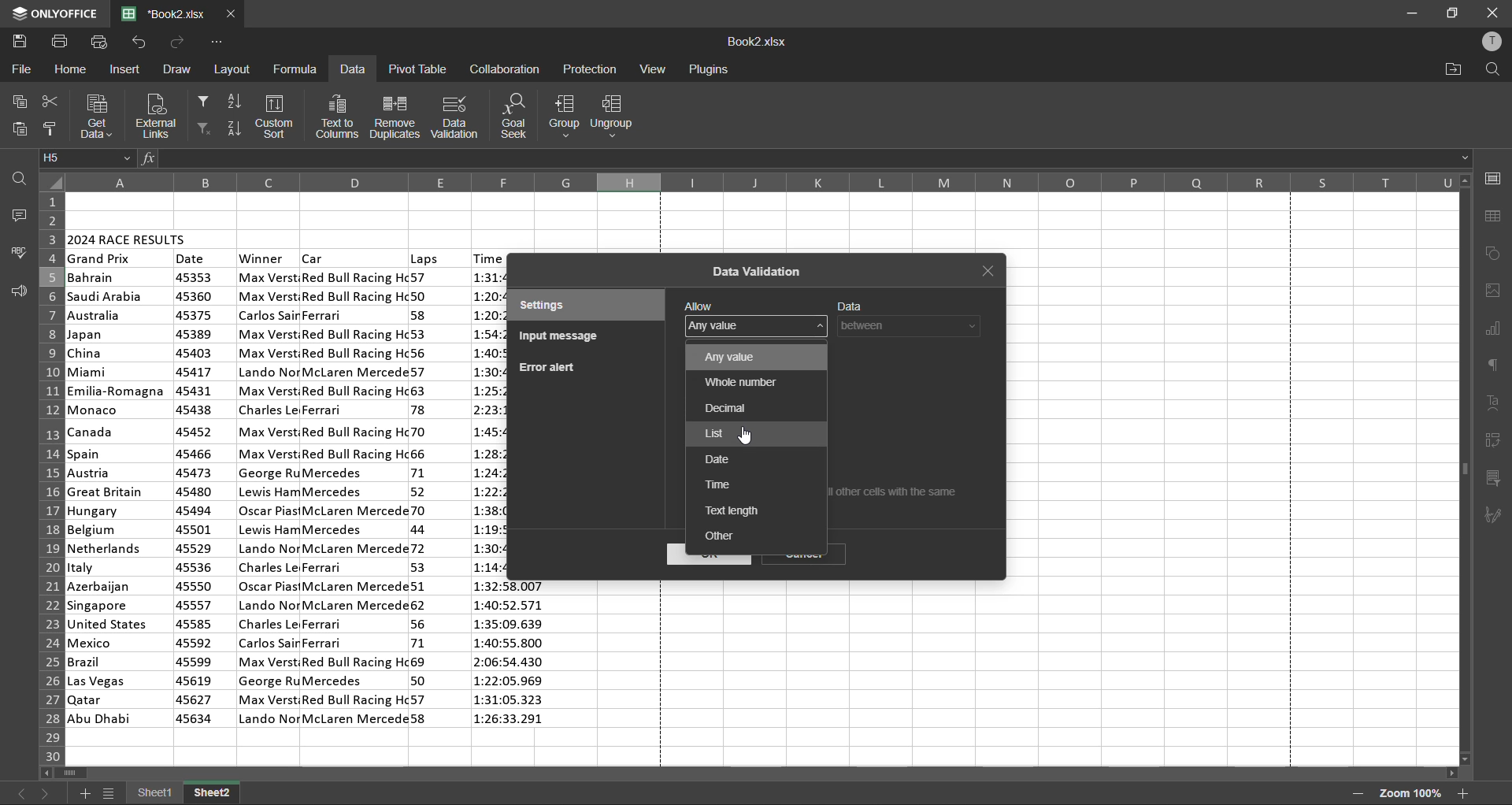 The image size is (1512, 805). I want to click on close, so click(1491, 12).